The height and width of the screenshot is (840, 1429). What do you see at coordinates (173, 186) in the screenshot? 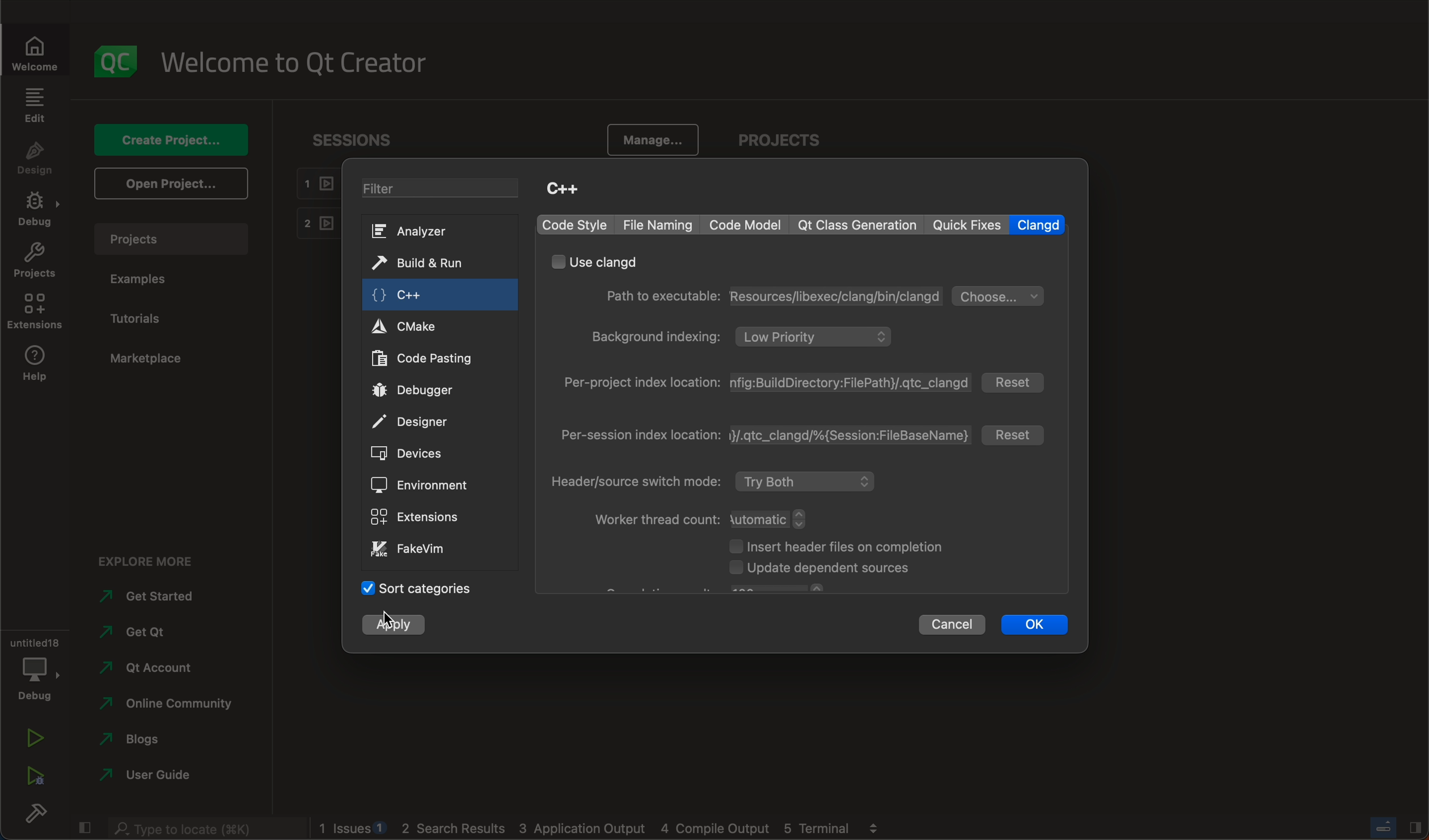
I see `open` at bounding box center [173, 186].